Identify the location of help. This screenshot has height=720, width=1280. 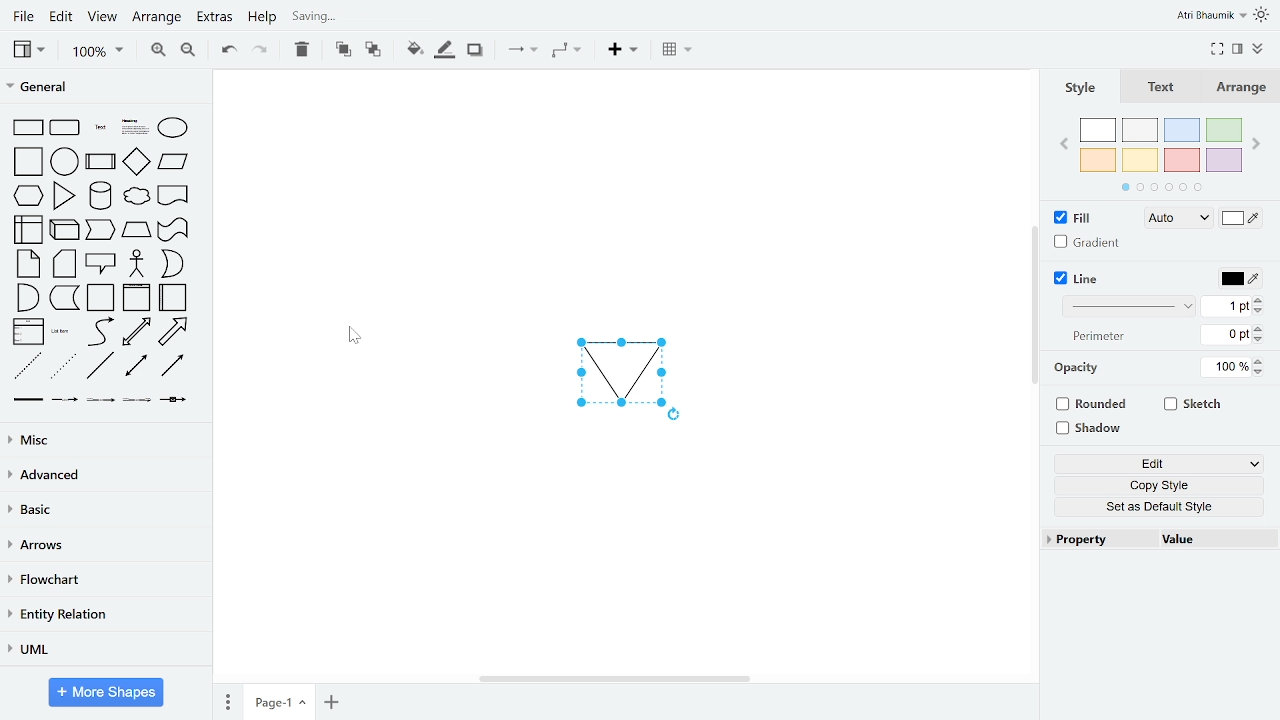
(263, 19).